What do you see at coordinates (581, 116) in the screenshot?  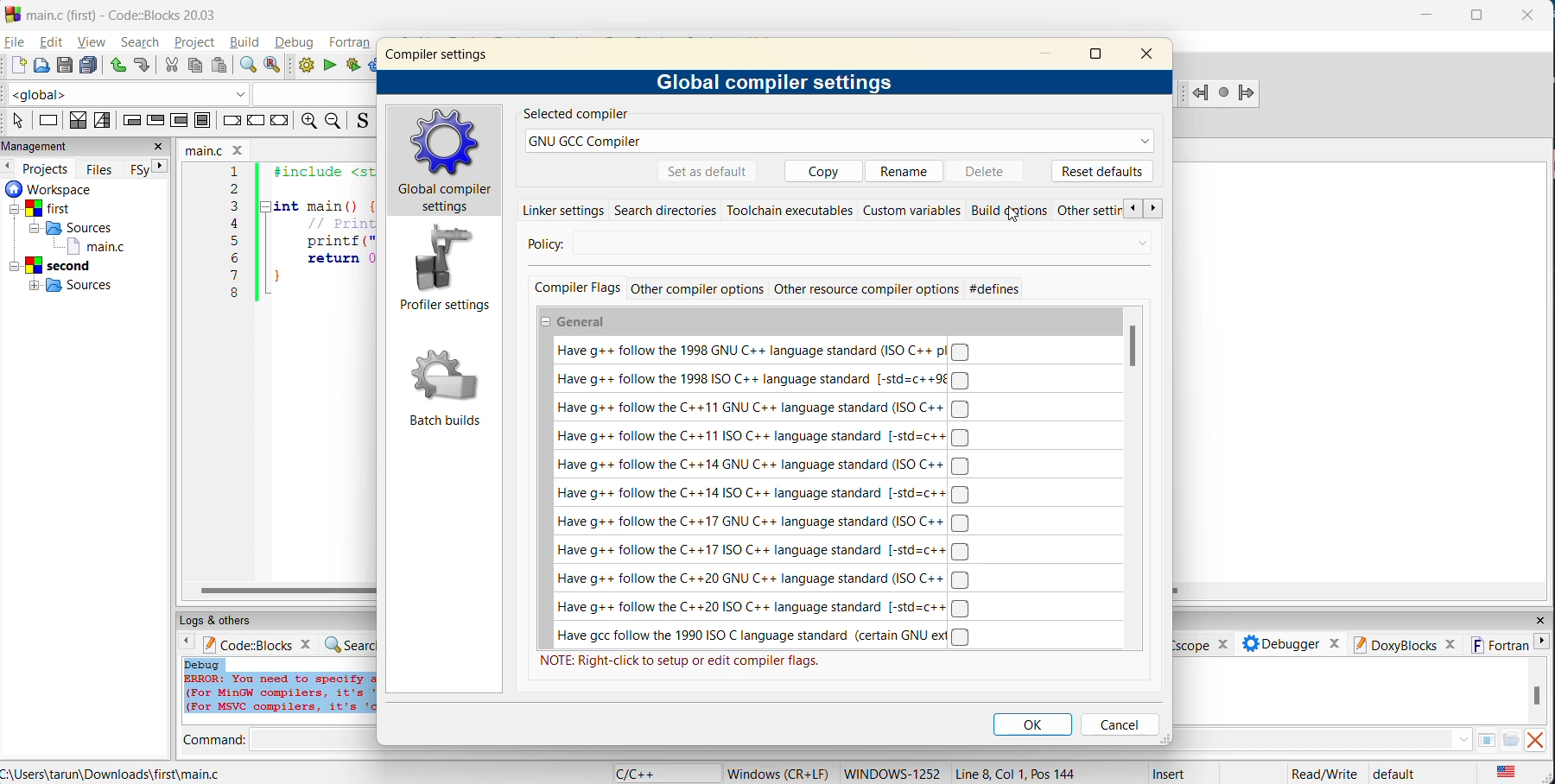 I see `selected compiler` at bounding box center [581, 116].